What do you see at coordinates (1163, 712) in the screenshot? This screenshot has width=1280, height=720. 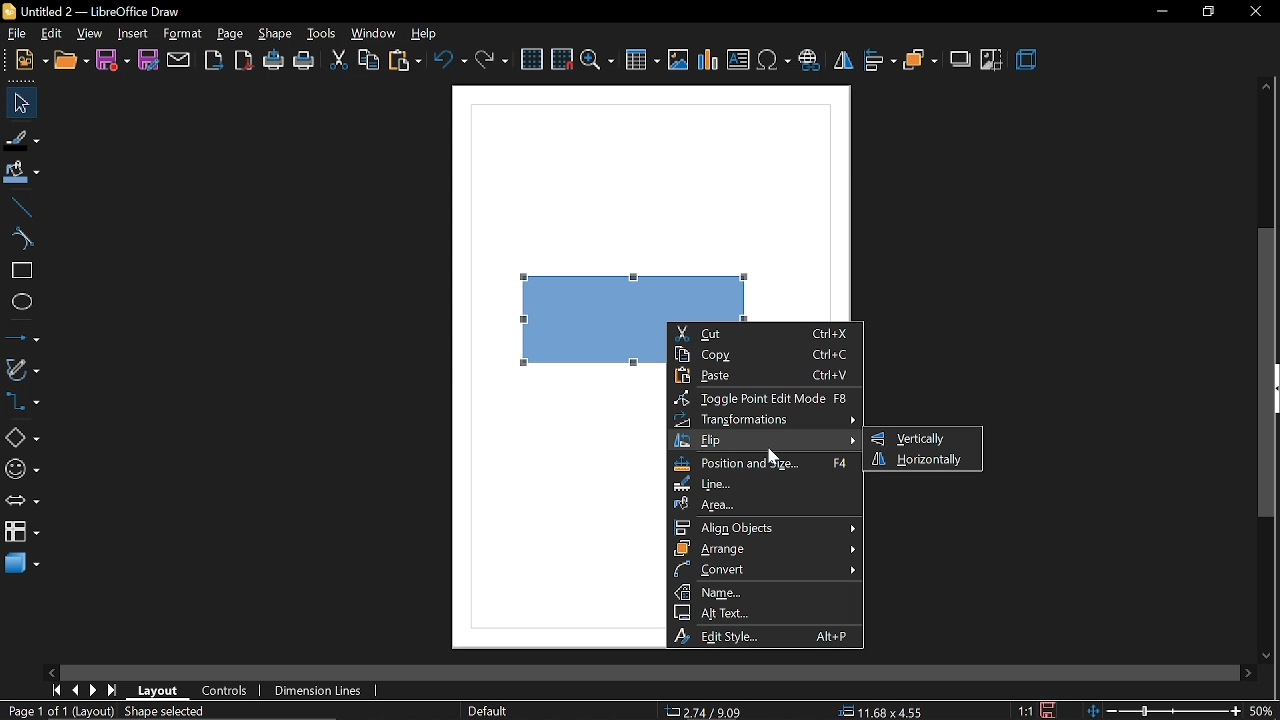 I see `change zoom` at bounding box center [1163, 712].